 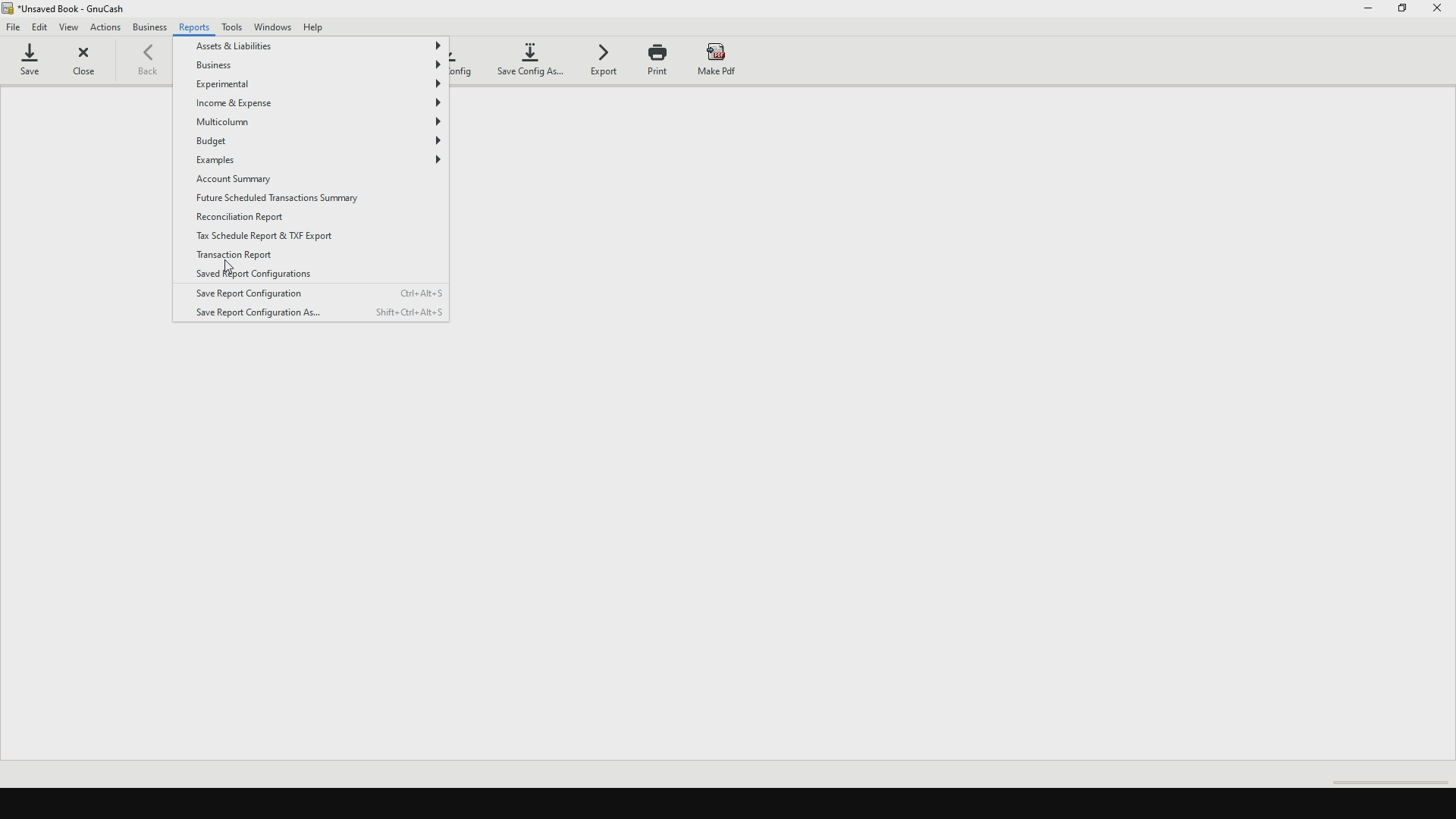 I want to click on minimize, so click(x=1369, y=11).